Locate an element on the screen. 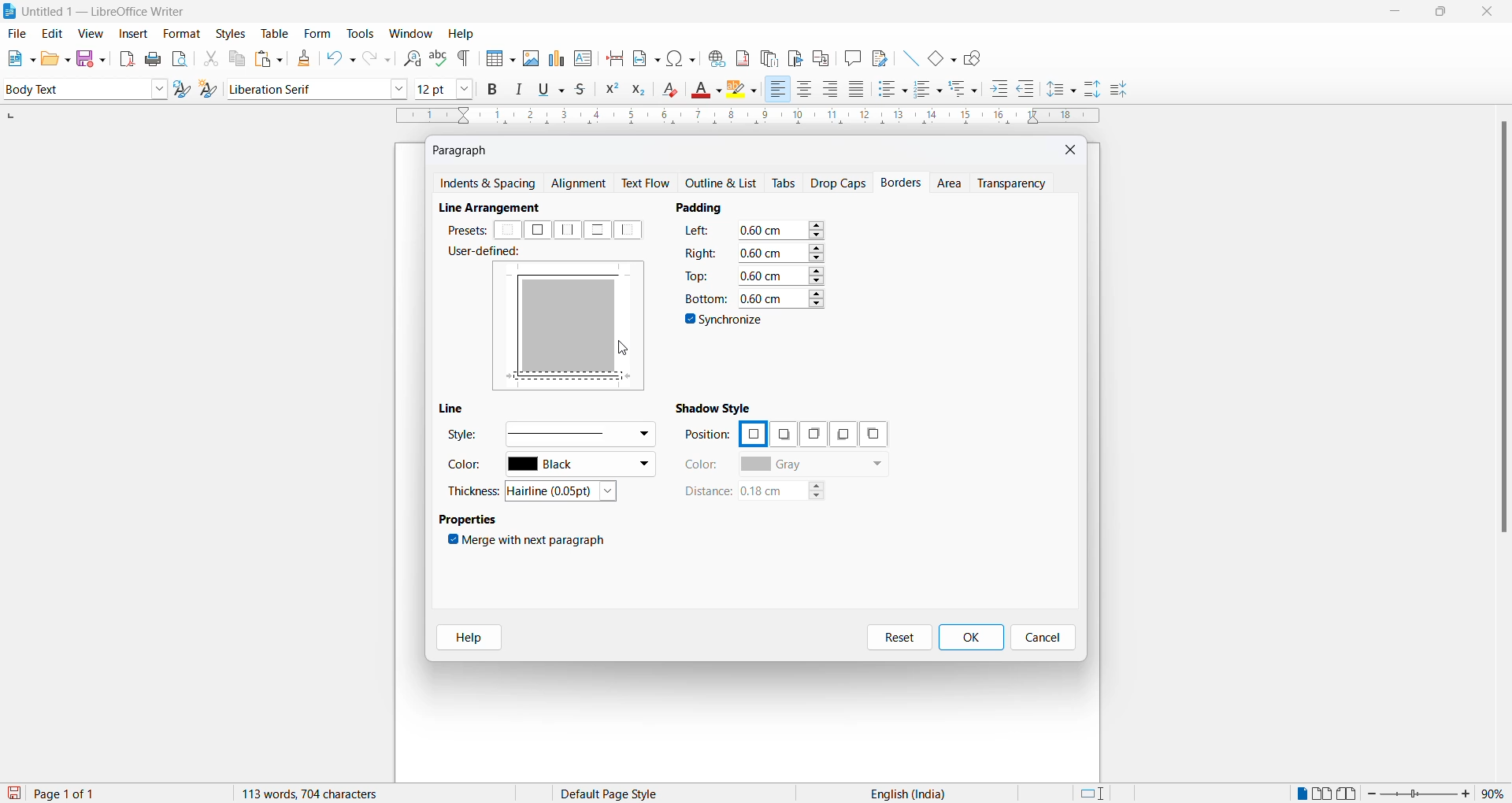 Image resolution: width=1512 pixels, height=803 pixels. multi page view is located at coordinates (1324, 794).